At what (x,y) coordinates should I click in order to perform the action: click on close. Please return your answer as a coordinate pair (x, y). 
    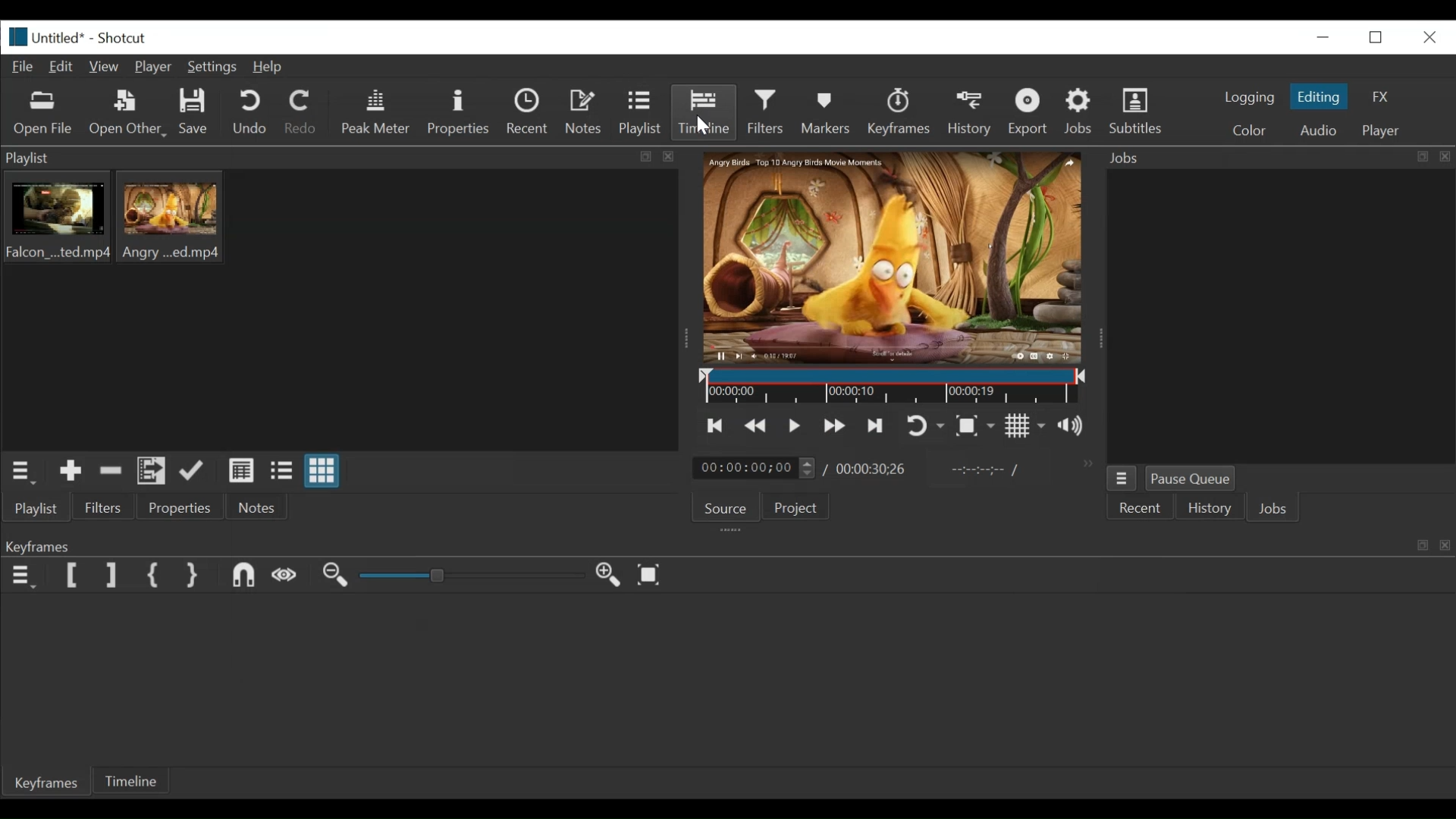
    Looking at the image, I should click on (1428, 36).